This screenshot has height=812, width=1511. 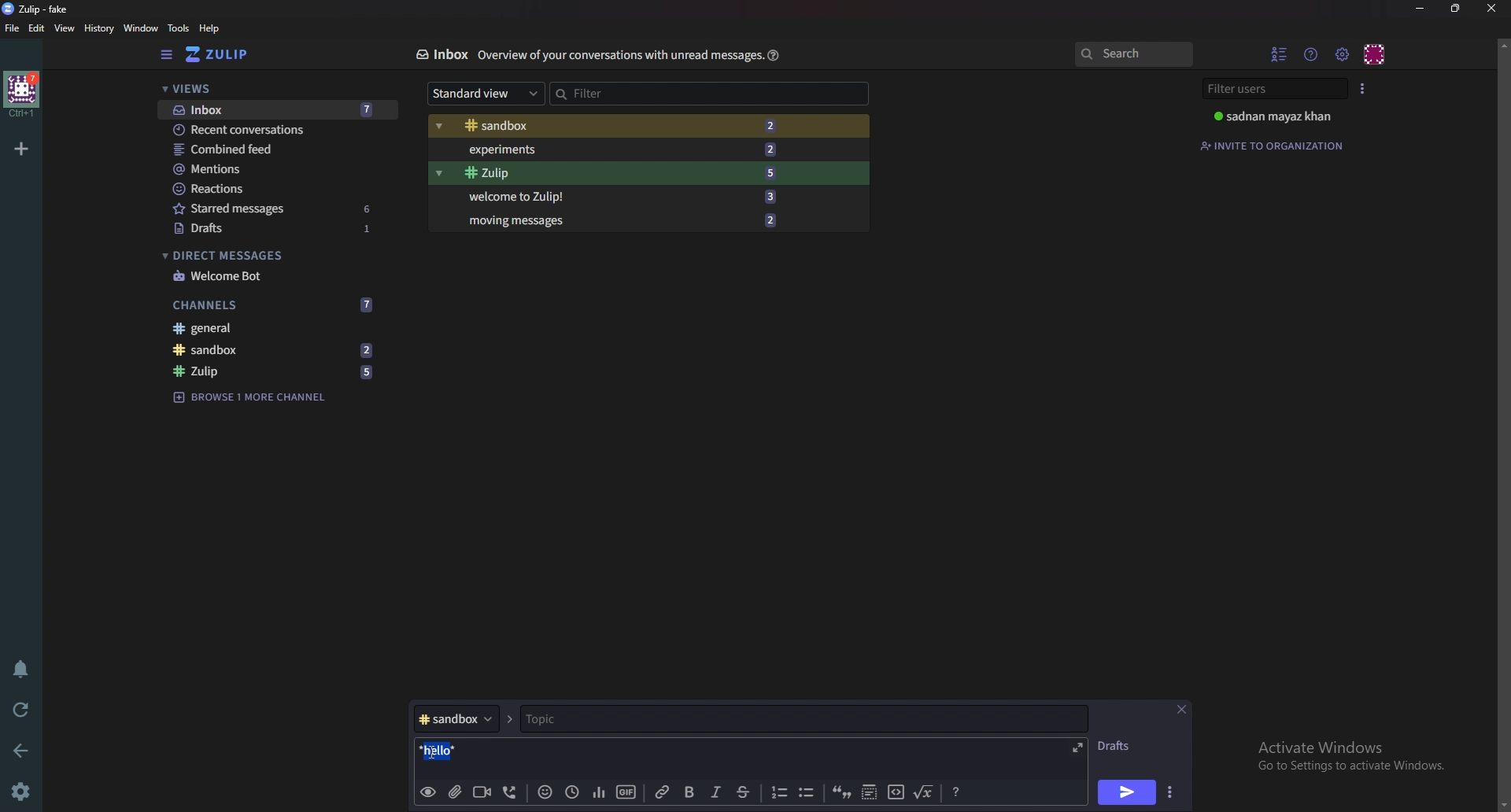 I want to click on Voice call, so click(x=512, y=793).